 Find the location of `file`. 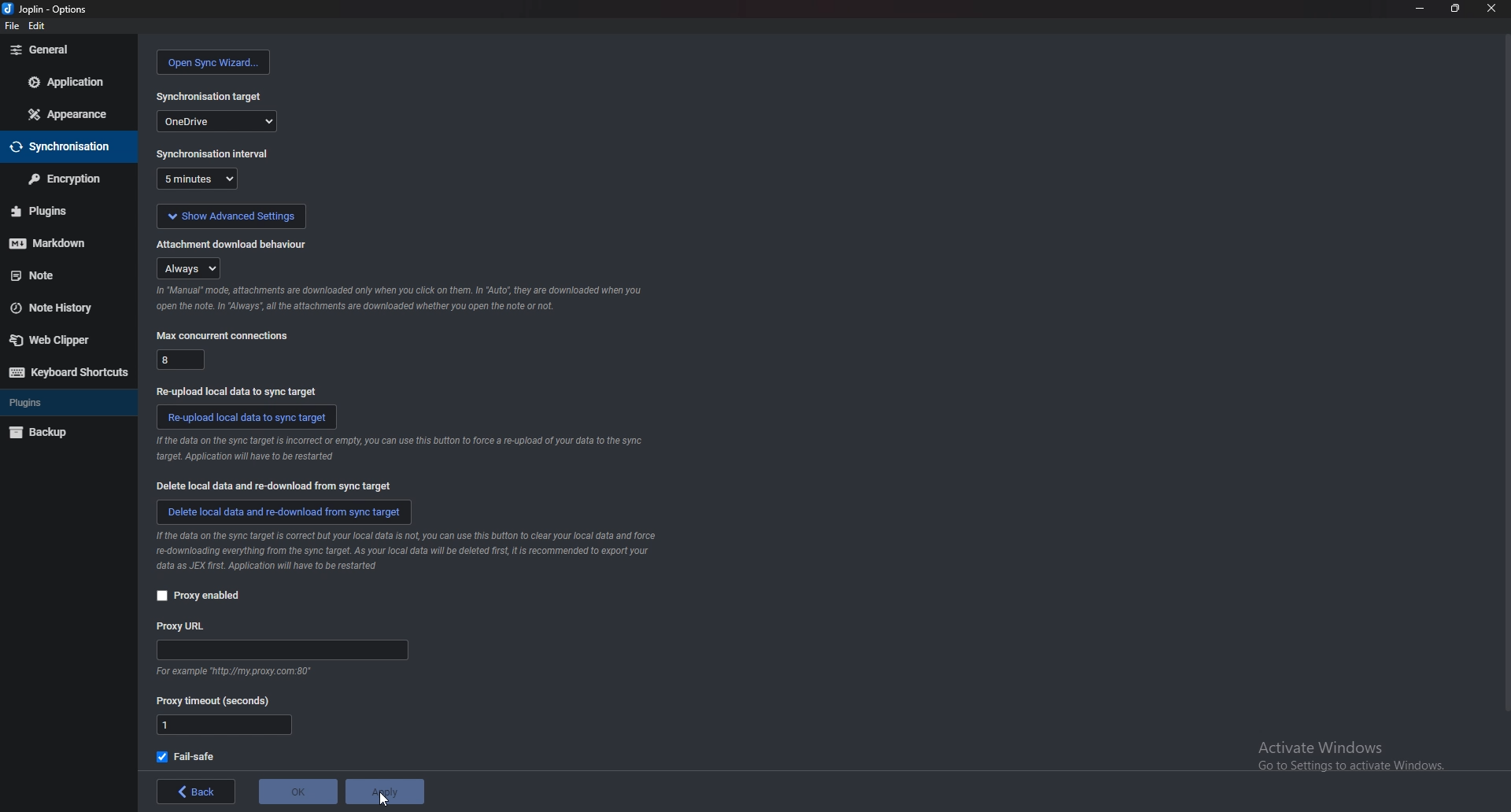

file is located at coordinates (9, 24).